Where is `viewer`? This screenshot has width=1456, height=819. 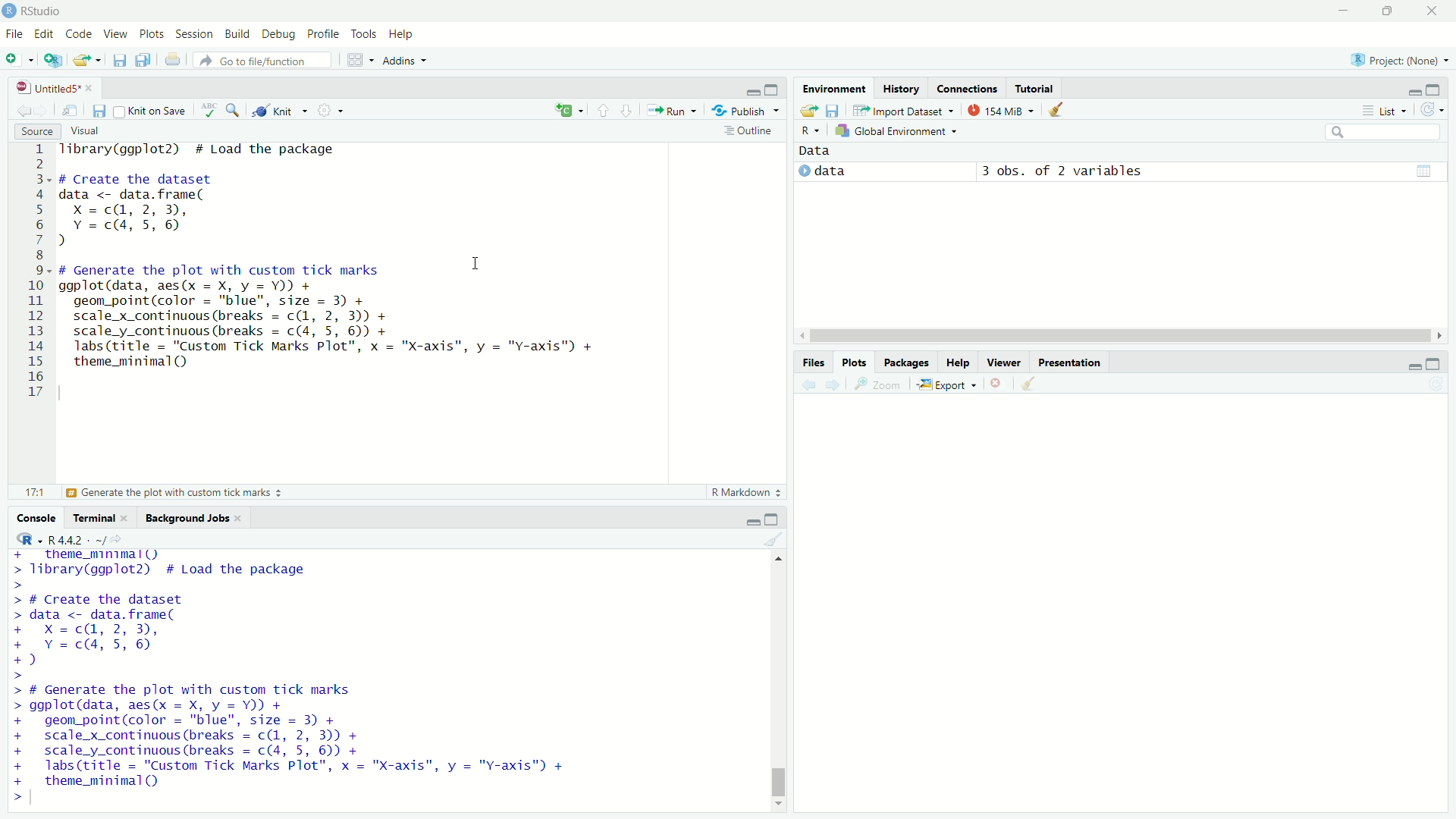 viewer is located at coordinates (1005, 361).